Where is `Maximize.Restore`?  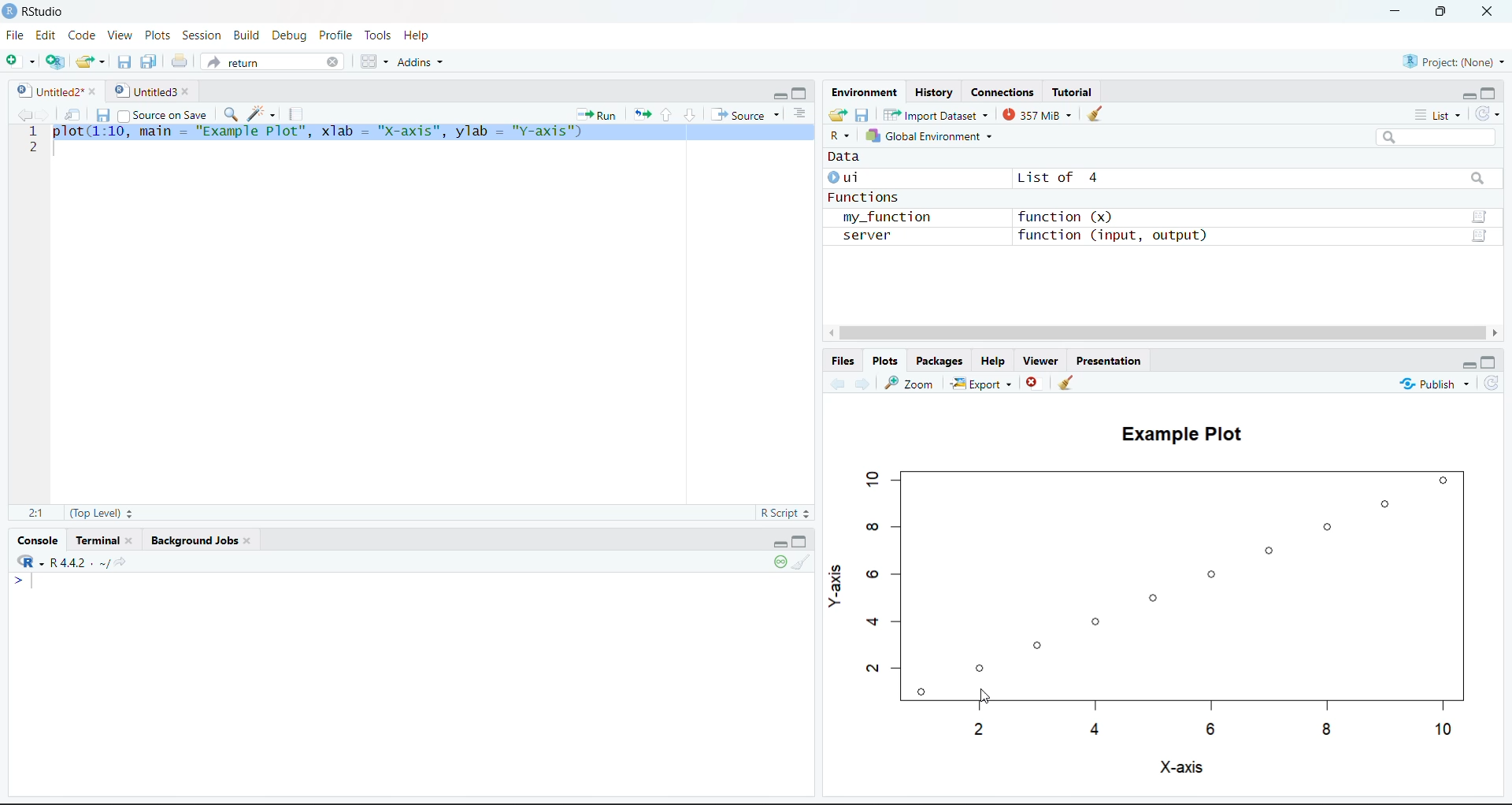
Maximize.Restore is located at coordinates (801, 91).